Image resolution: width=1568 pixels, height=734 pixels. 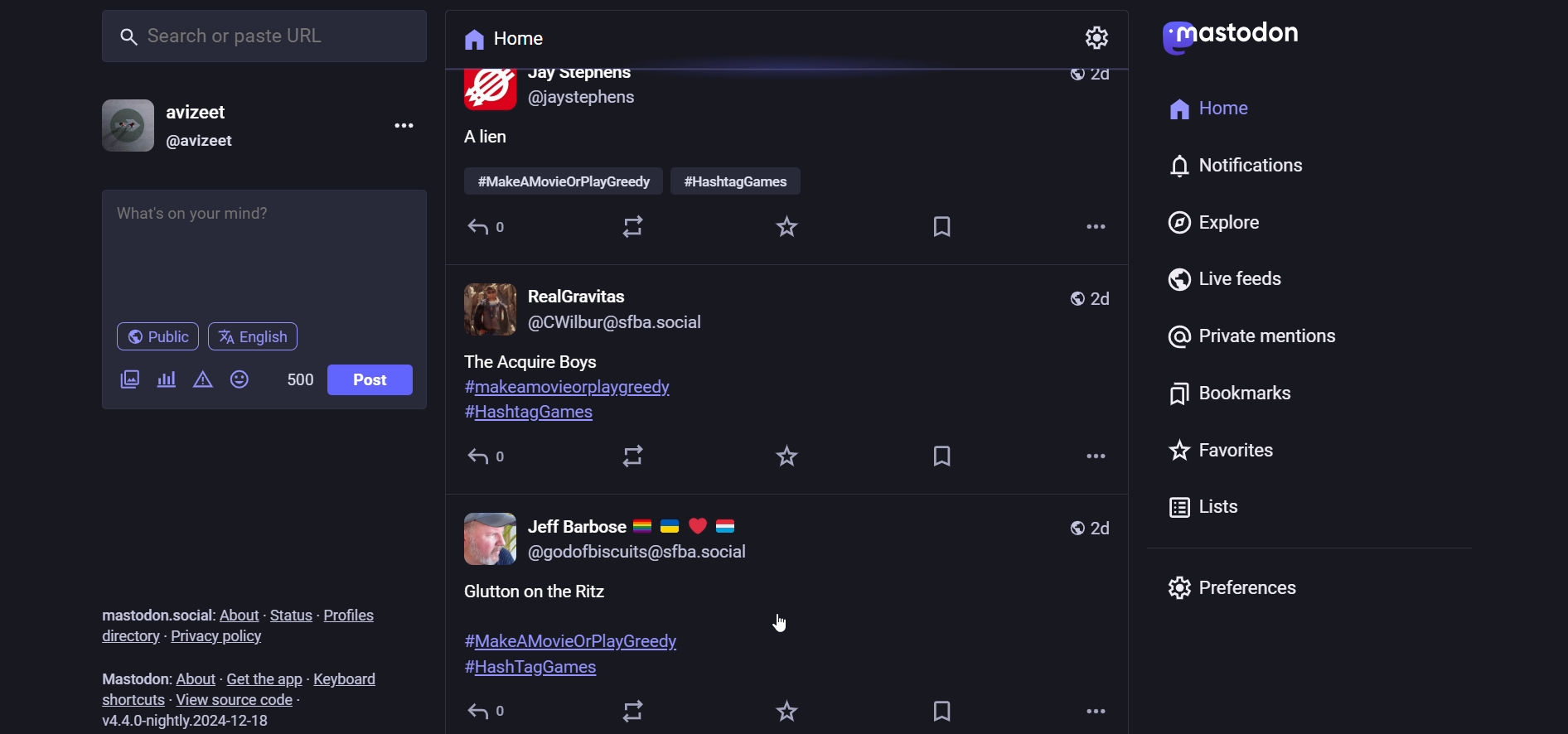 I want to click on profile, so click(x=614, y=542).